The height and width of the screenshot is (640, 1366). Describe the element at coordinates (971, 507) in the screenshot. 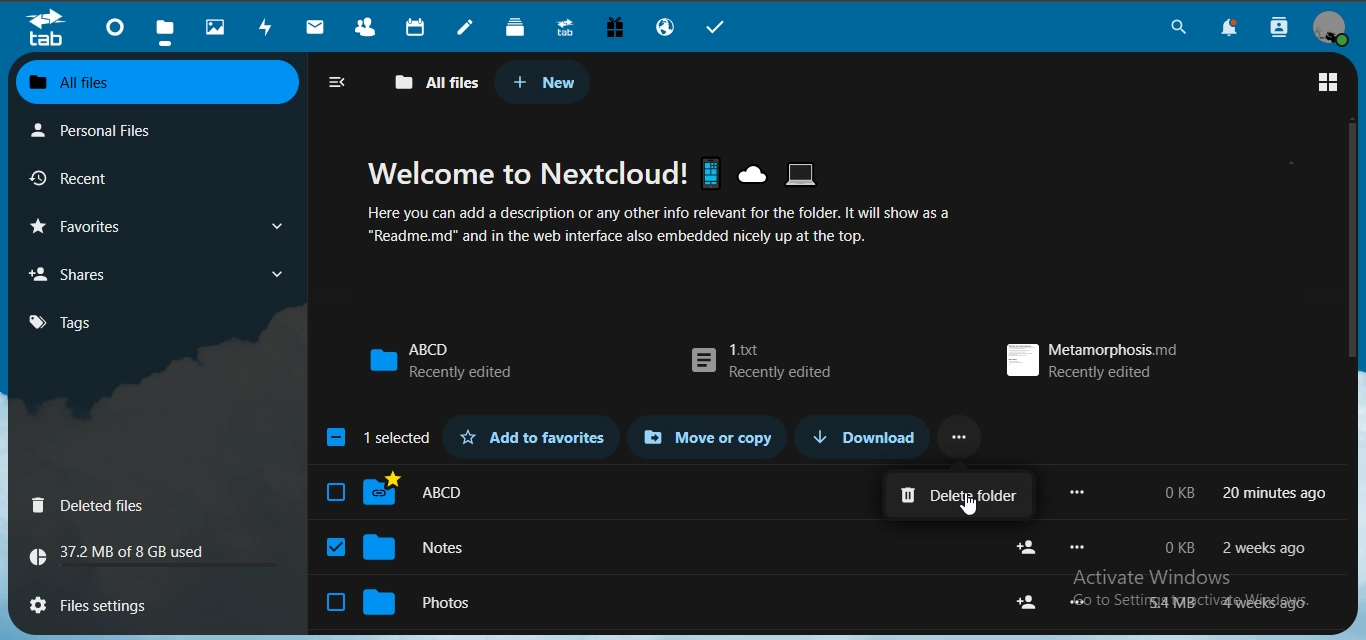

I see `cursor` at that location.